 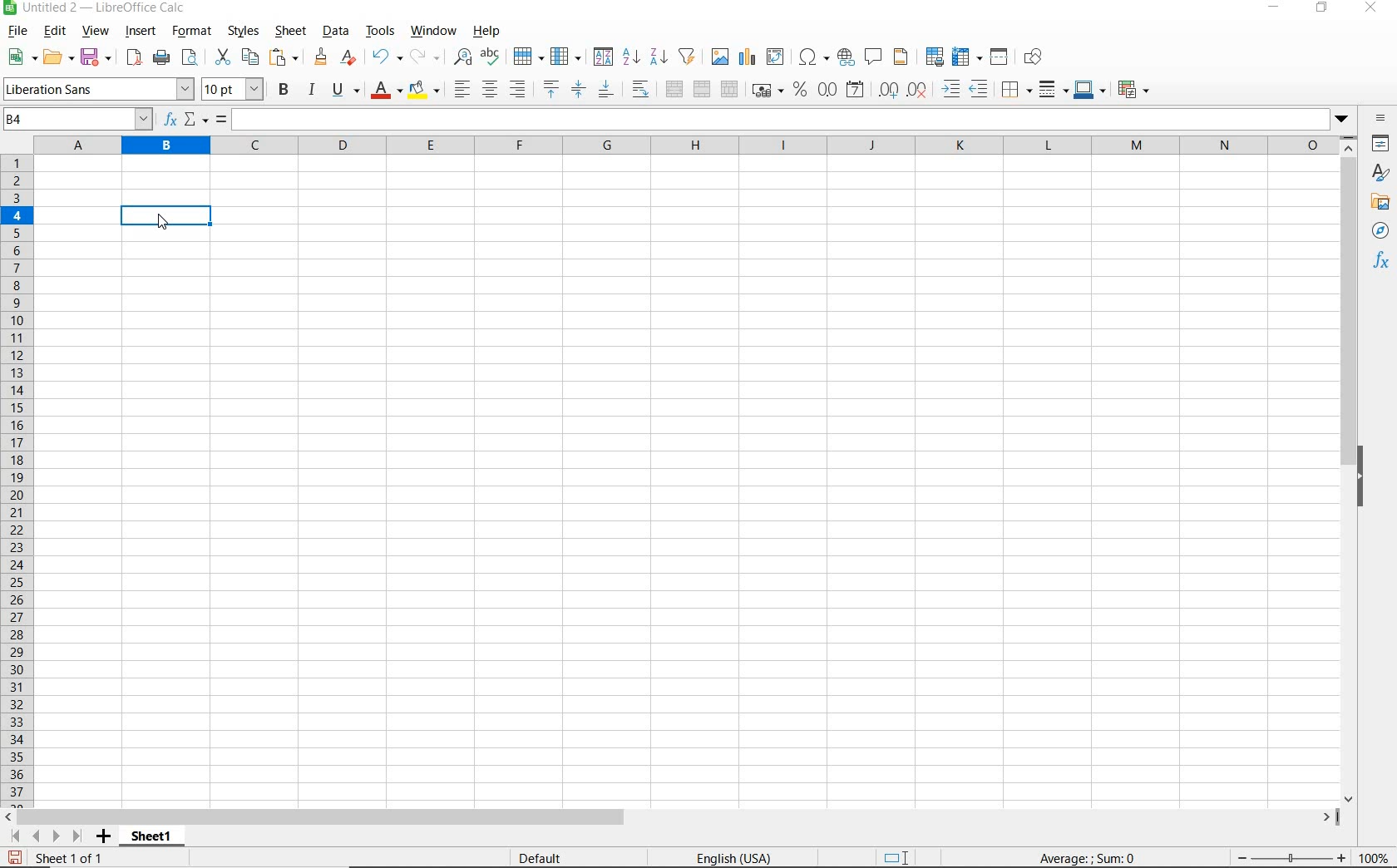 I want to click on undo, so click(x=386, y=57).